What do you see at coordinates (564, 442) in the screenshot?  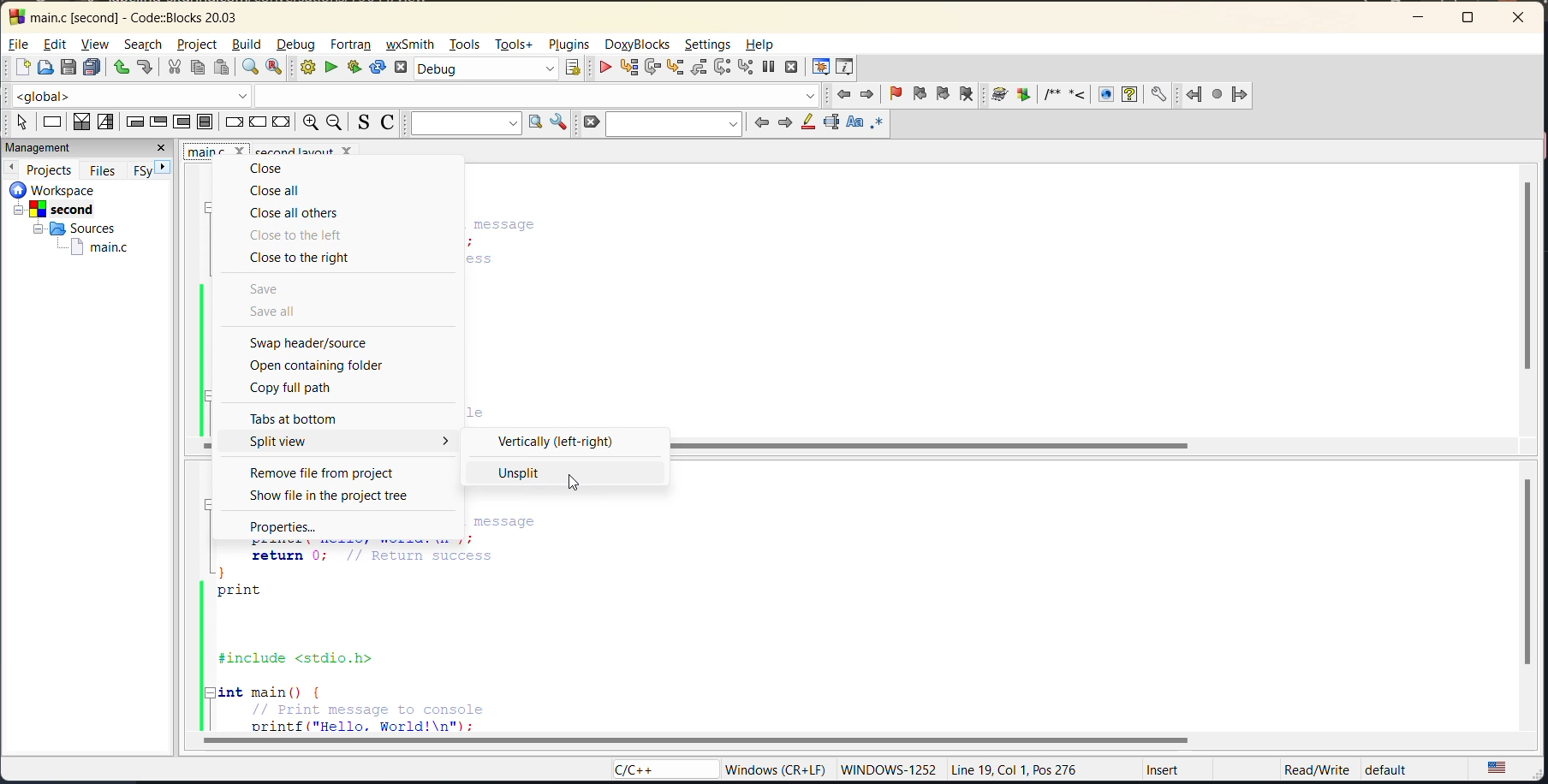 I see `vertically` at bounding box center [564, 442].